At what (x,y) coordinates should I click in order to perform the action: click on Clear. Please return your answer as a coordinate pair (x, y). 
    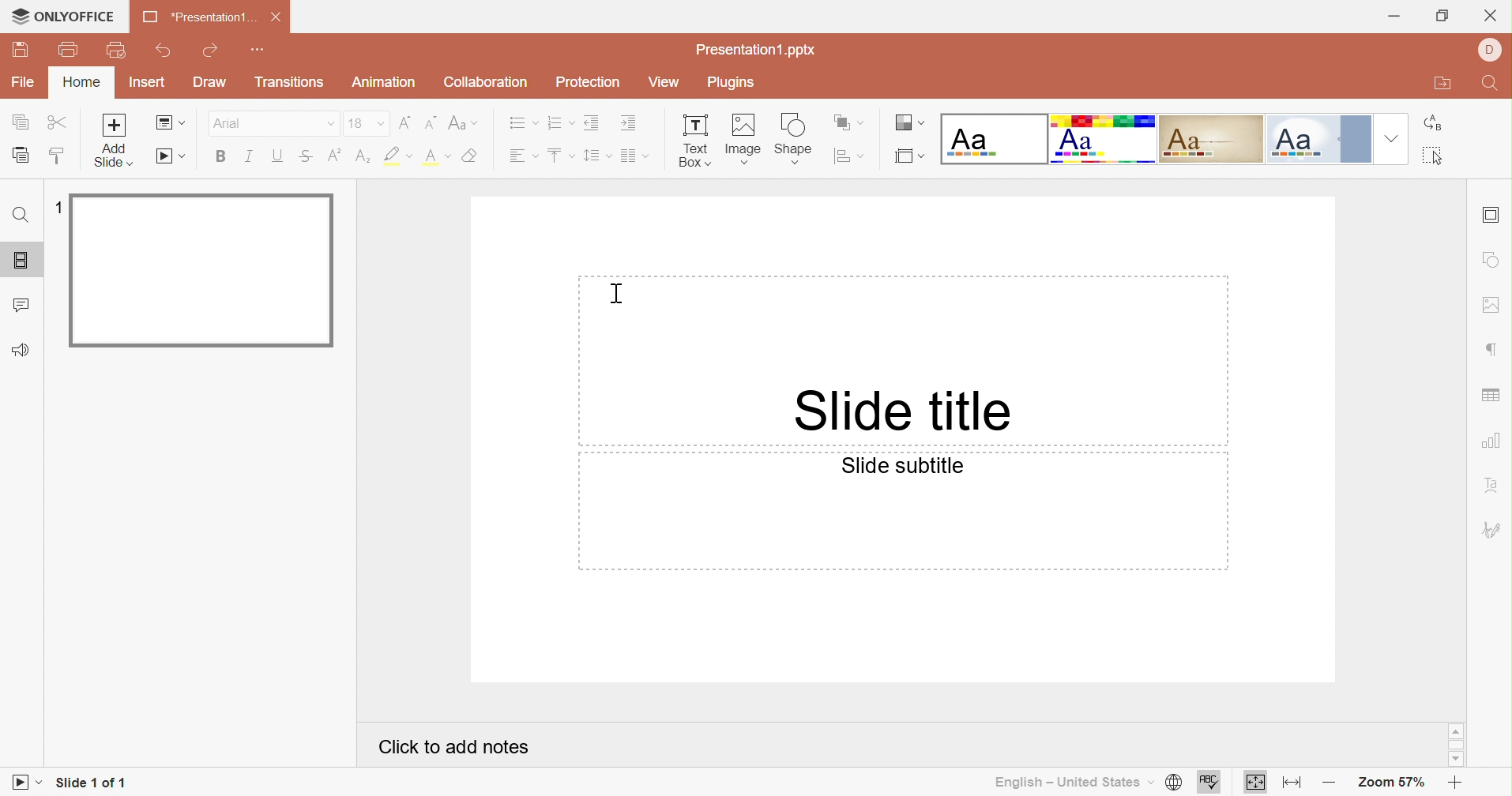
    Looking at the image, I should click on (471, 157).